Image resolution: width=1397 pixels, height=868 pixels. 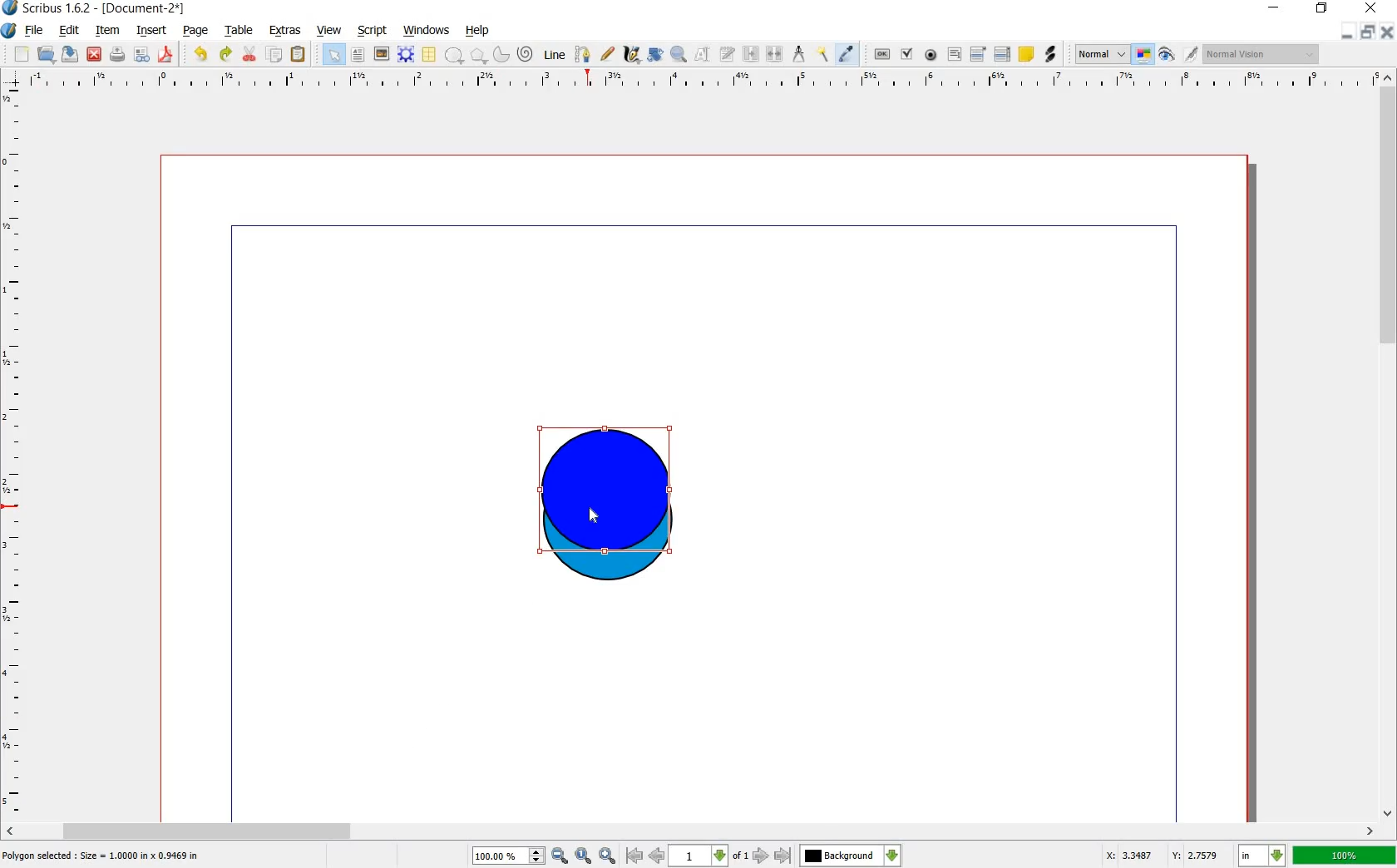 I want to click on minimize, so click(x=1346, y=33).